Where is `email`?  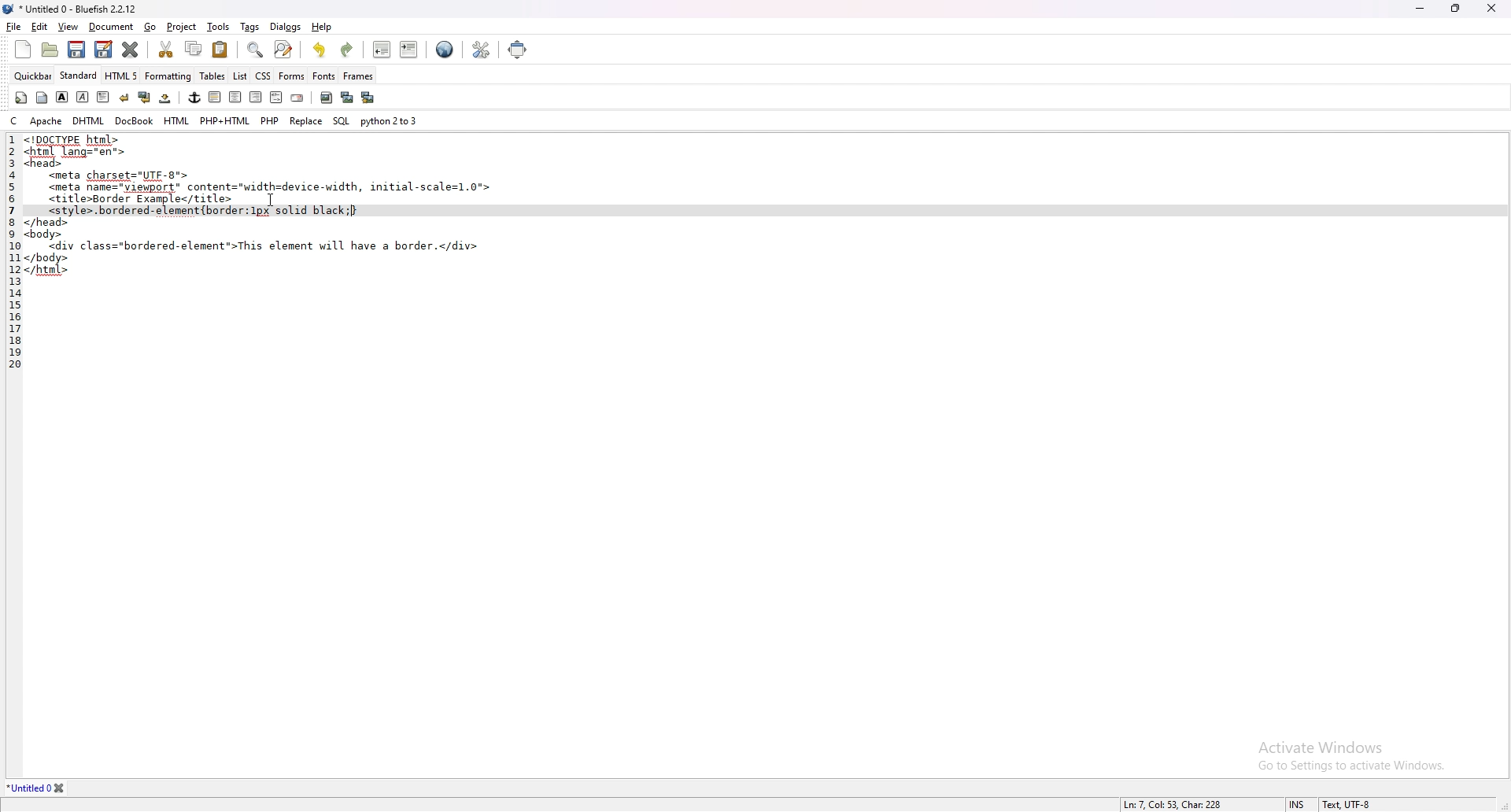
email is located at coordinates (297, 98).